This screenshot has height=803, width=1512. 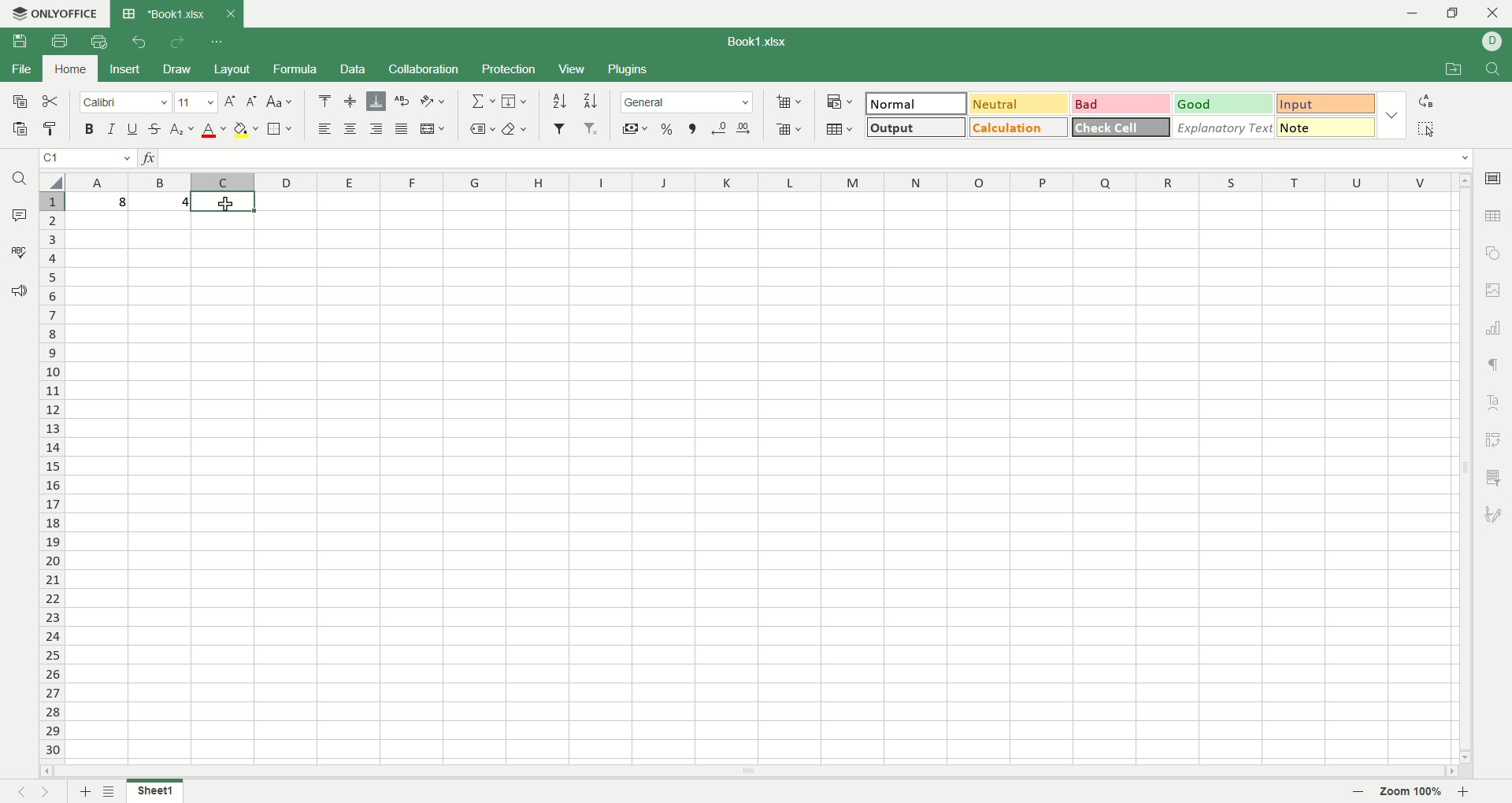 I want to click on increase font size, so click(x=230, y=101).